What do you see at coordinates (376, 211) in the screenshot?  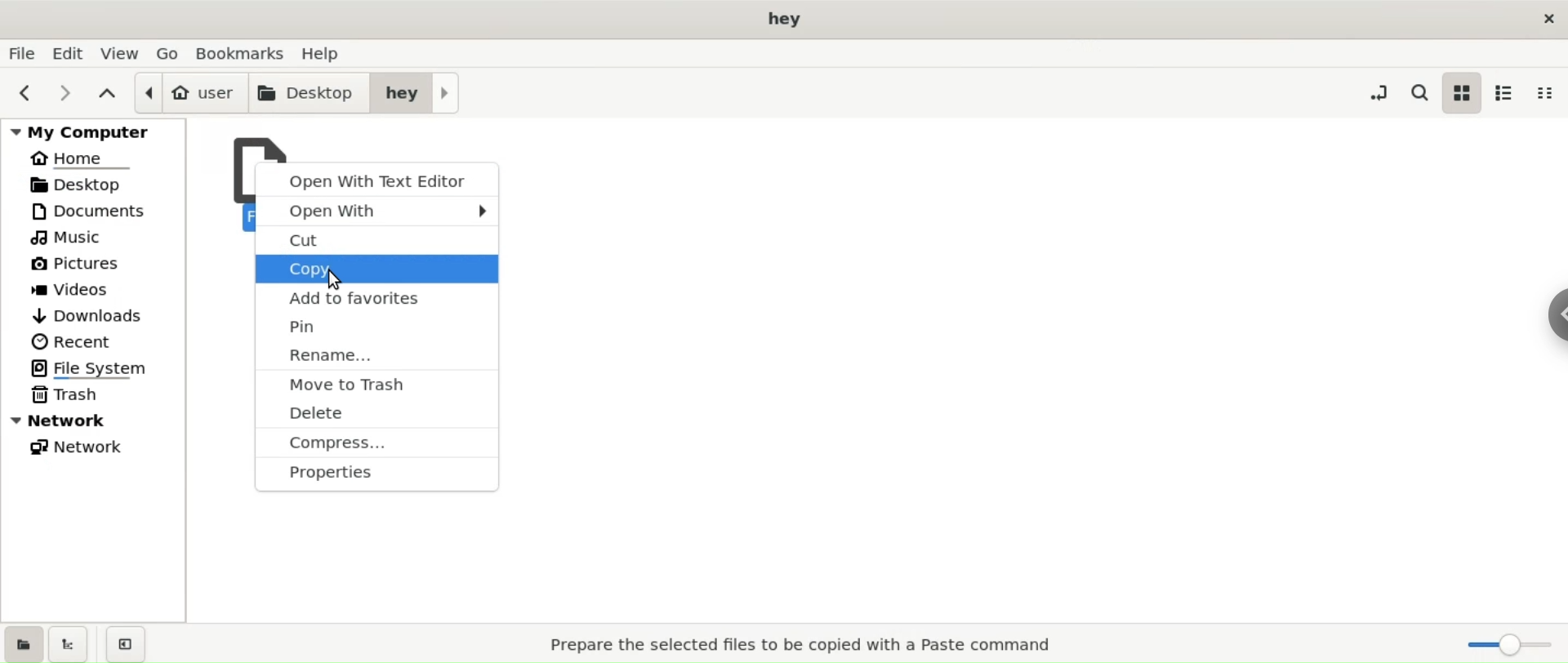 I see `open with` at bounding box center [376, 211].